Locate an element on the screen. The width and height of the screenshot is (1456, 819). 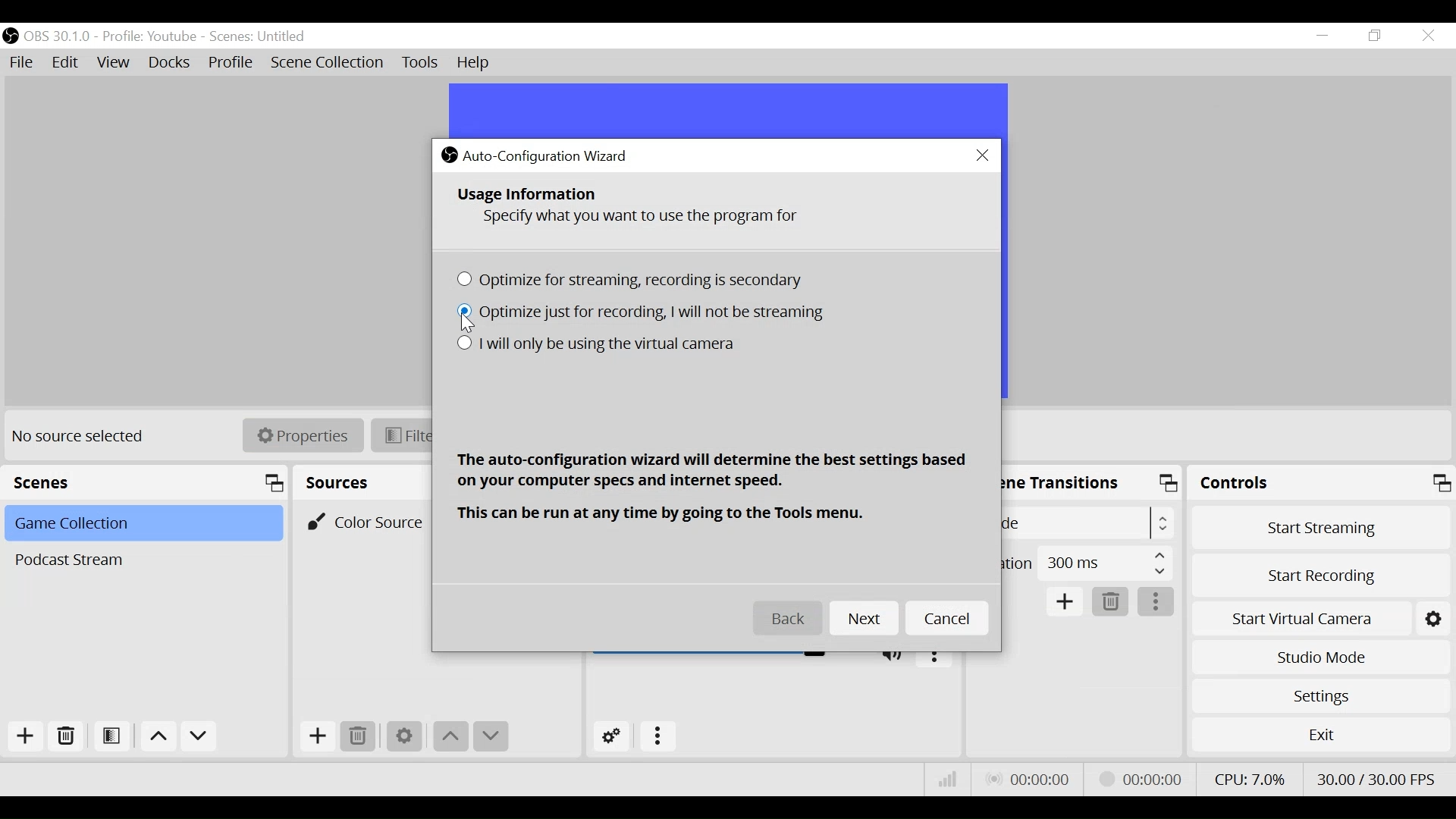
Next is located at coordinates (866, 619).